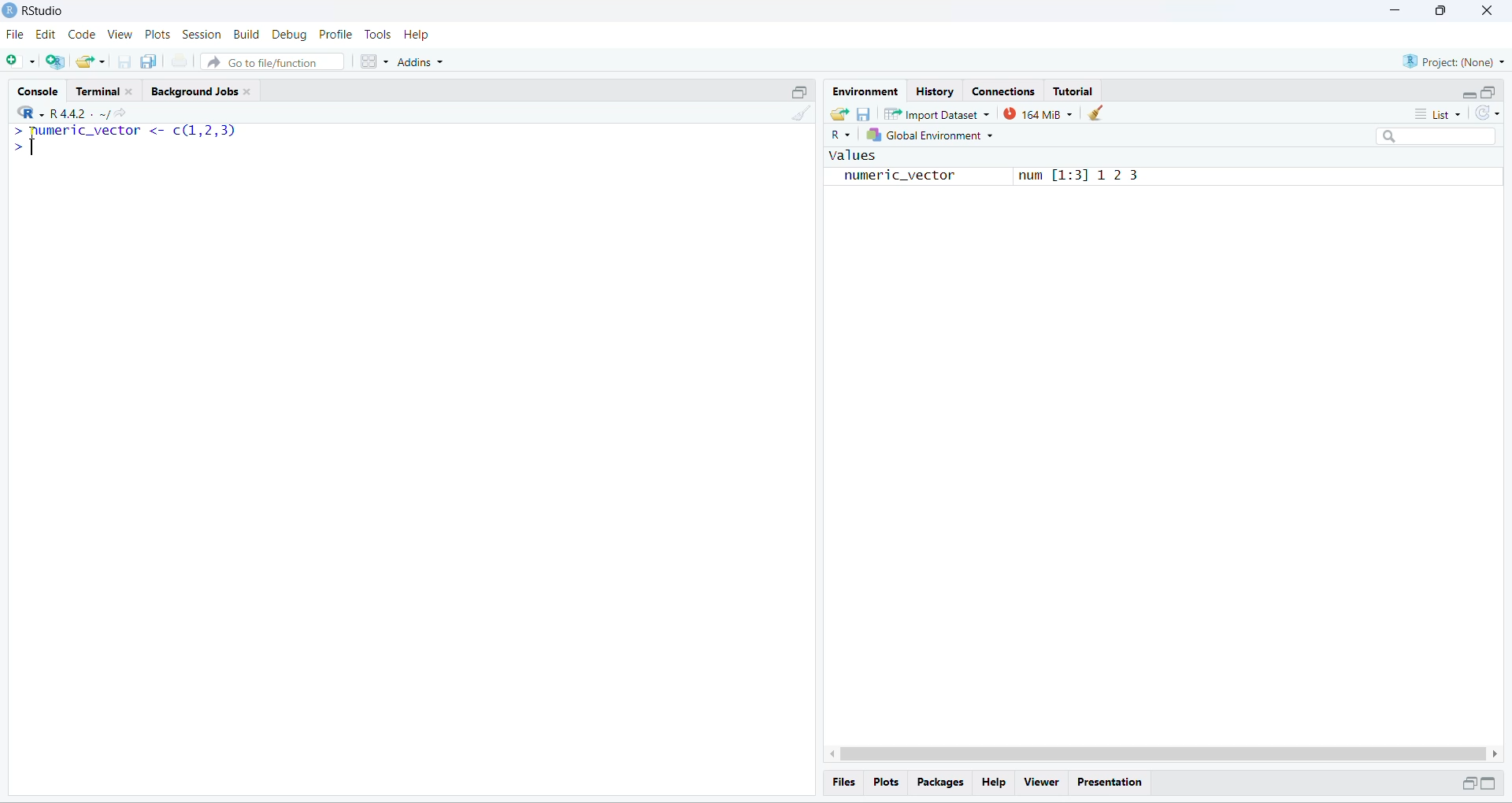 This screenshot has width=1512, height=803. What do you see at coordinates (335, 35) in the screenshot?
I see `Profile` at bounding box center [335, 35].